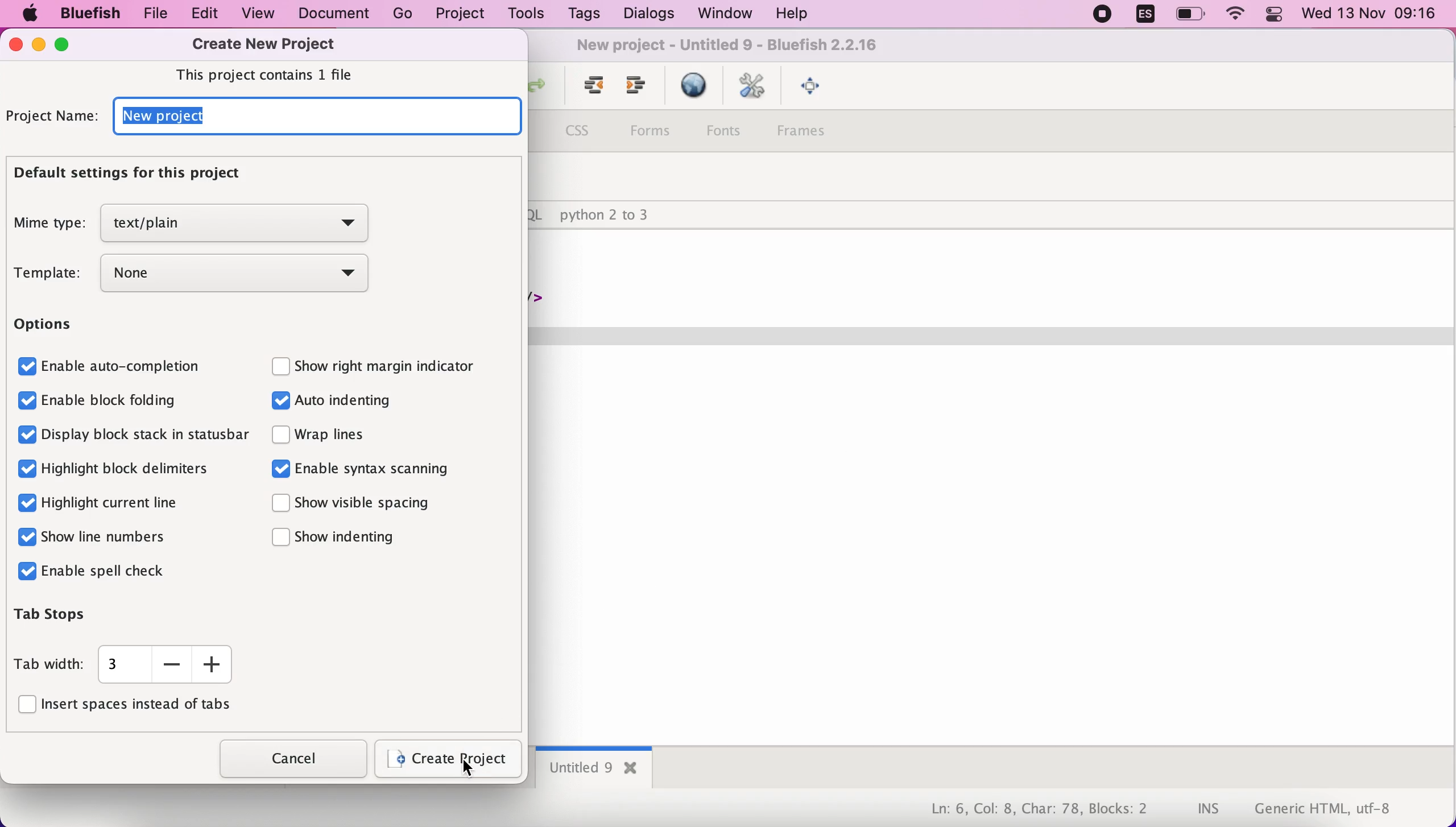  I want to click on untitled 9, so click(591, 770).